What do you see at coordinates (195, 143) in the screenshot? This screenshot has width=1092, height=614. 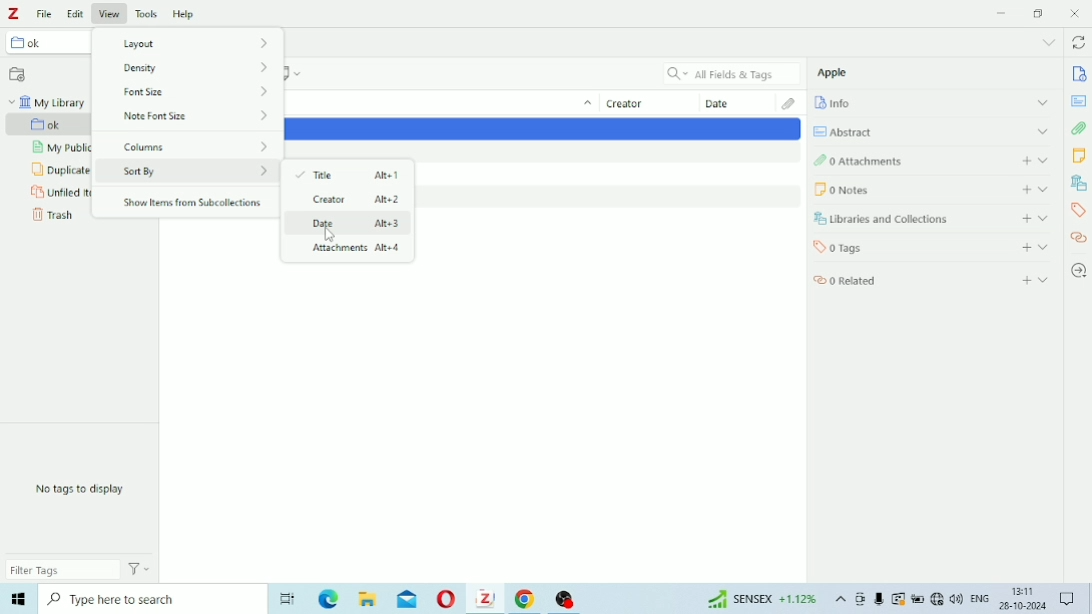 I see `Columns` at bounding box center [195, 143].